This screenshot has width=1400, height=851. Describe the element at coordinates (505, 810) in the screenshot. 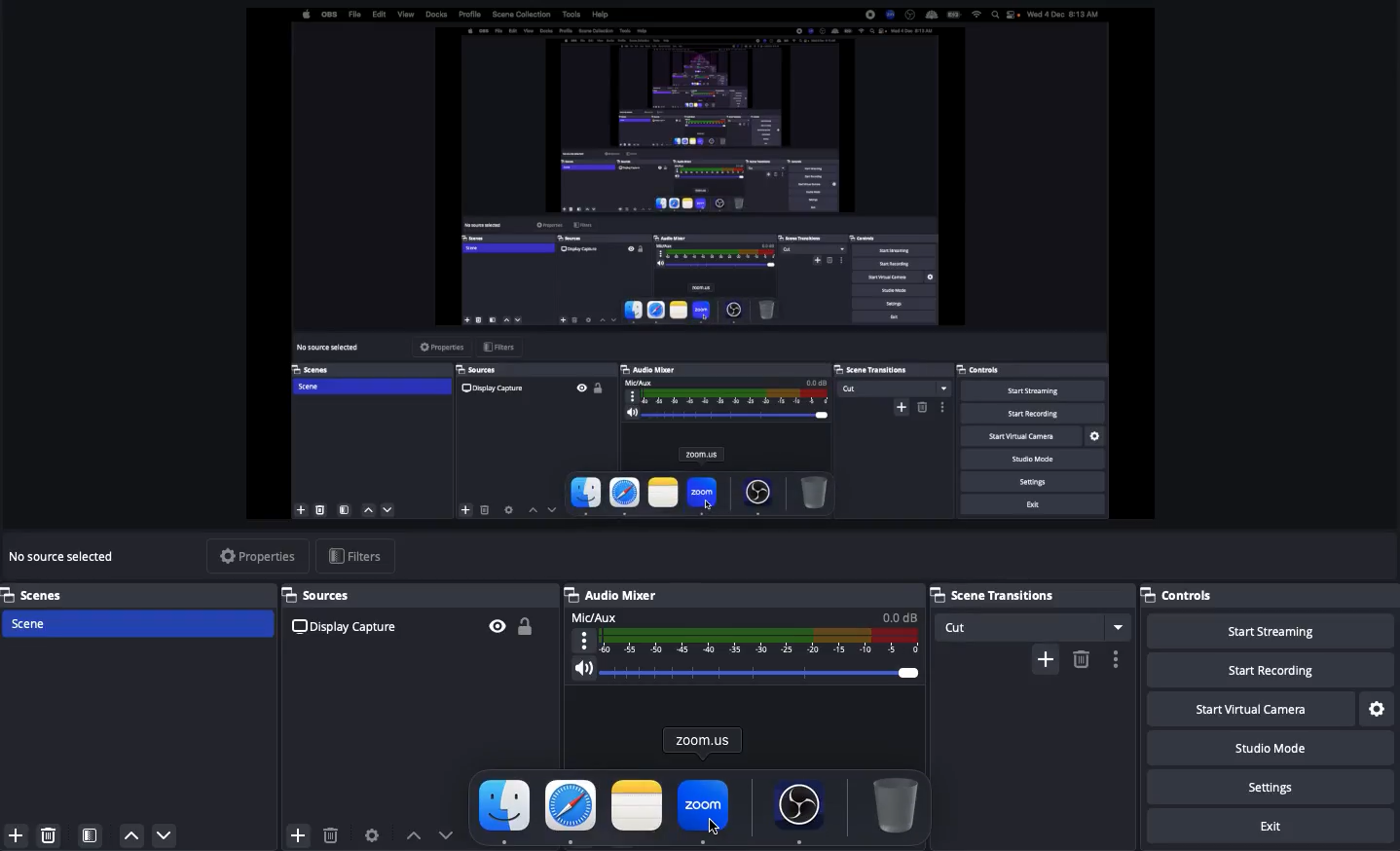

I see `Finder` at that location.